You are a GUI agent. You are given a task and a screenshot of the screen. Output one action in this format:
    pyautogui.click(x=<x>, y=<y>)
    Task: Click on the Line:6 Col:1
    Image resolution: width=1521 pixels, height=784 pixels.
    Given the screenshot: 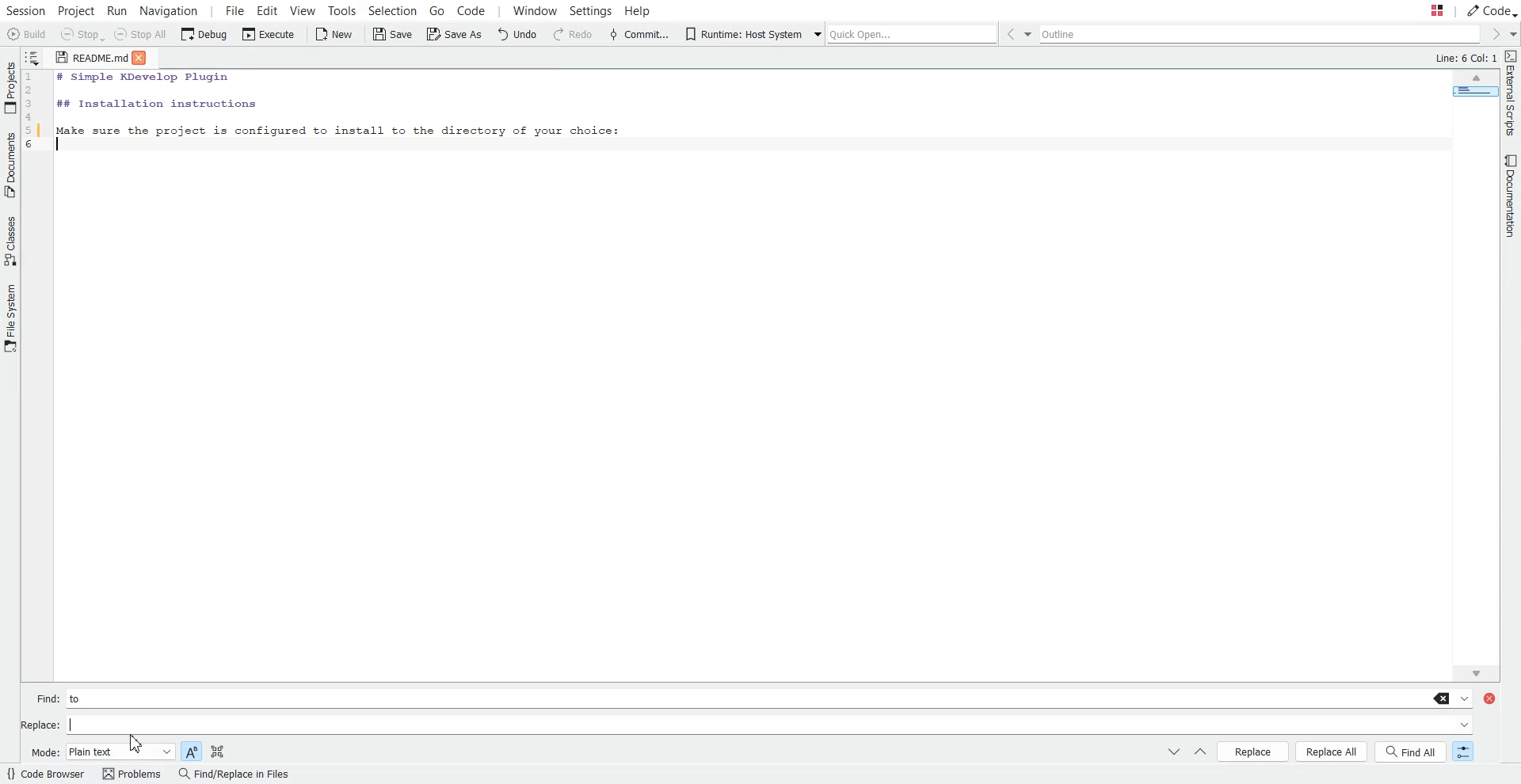 What is the action you would take?
    pyautogui.click(x=1463, y=59)
    